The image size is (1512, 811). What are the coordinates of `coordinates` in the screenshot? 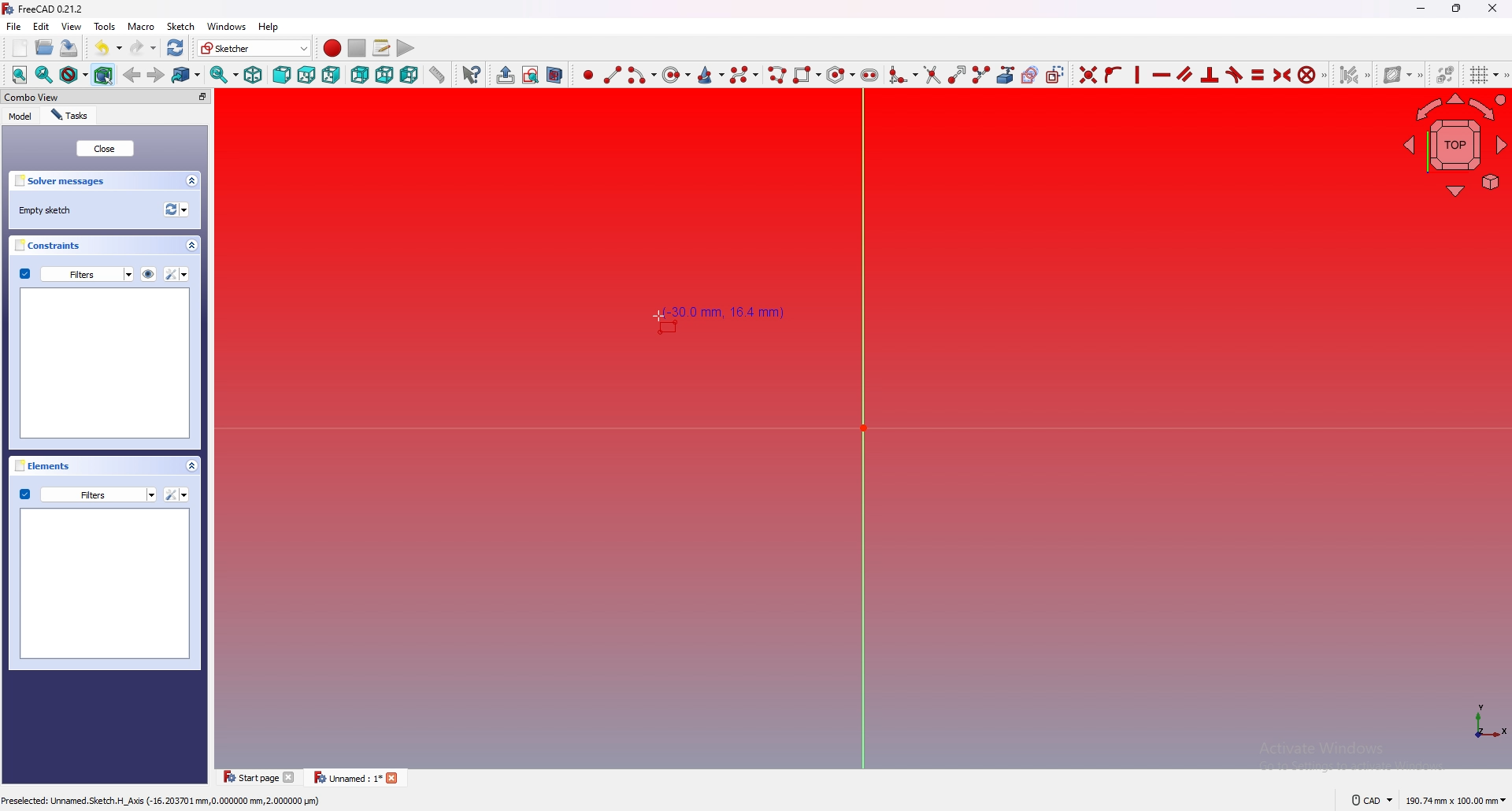 It's located at (726, 314).